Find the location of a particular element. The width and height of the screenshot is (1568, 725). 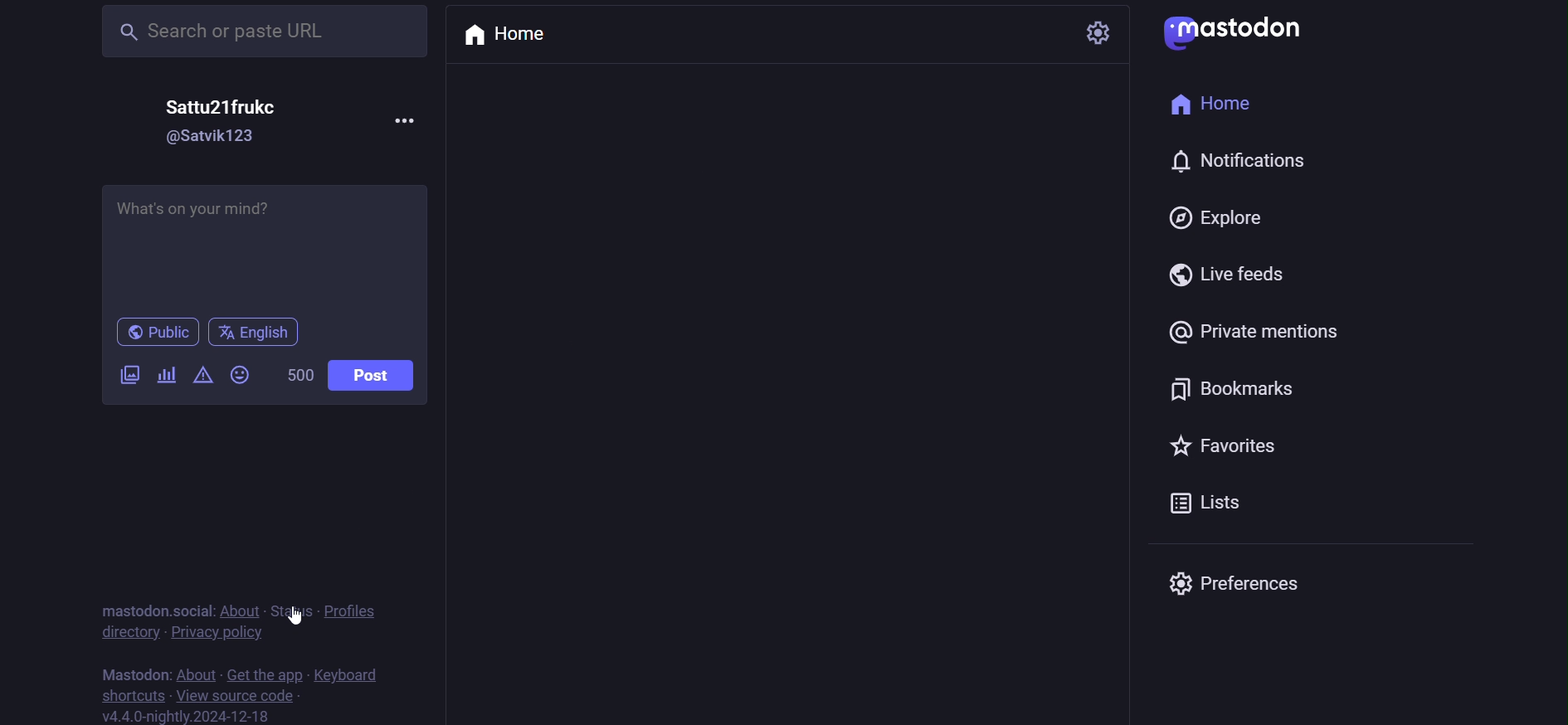

about is located at coordinates (196, 674).